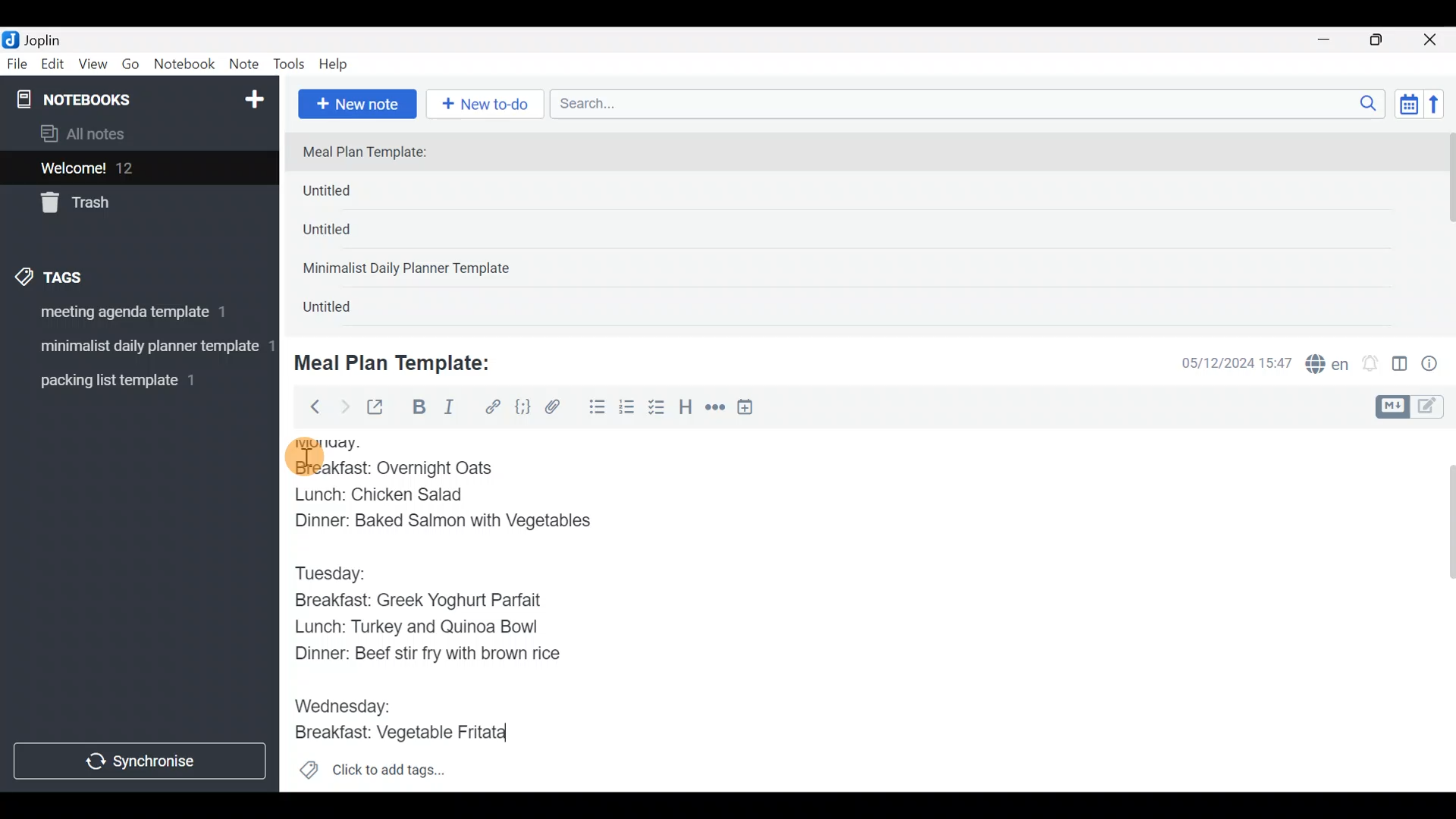 This screenshot has height=819, width=1456. I want to click on Date & time, so click(1225, 362).